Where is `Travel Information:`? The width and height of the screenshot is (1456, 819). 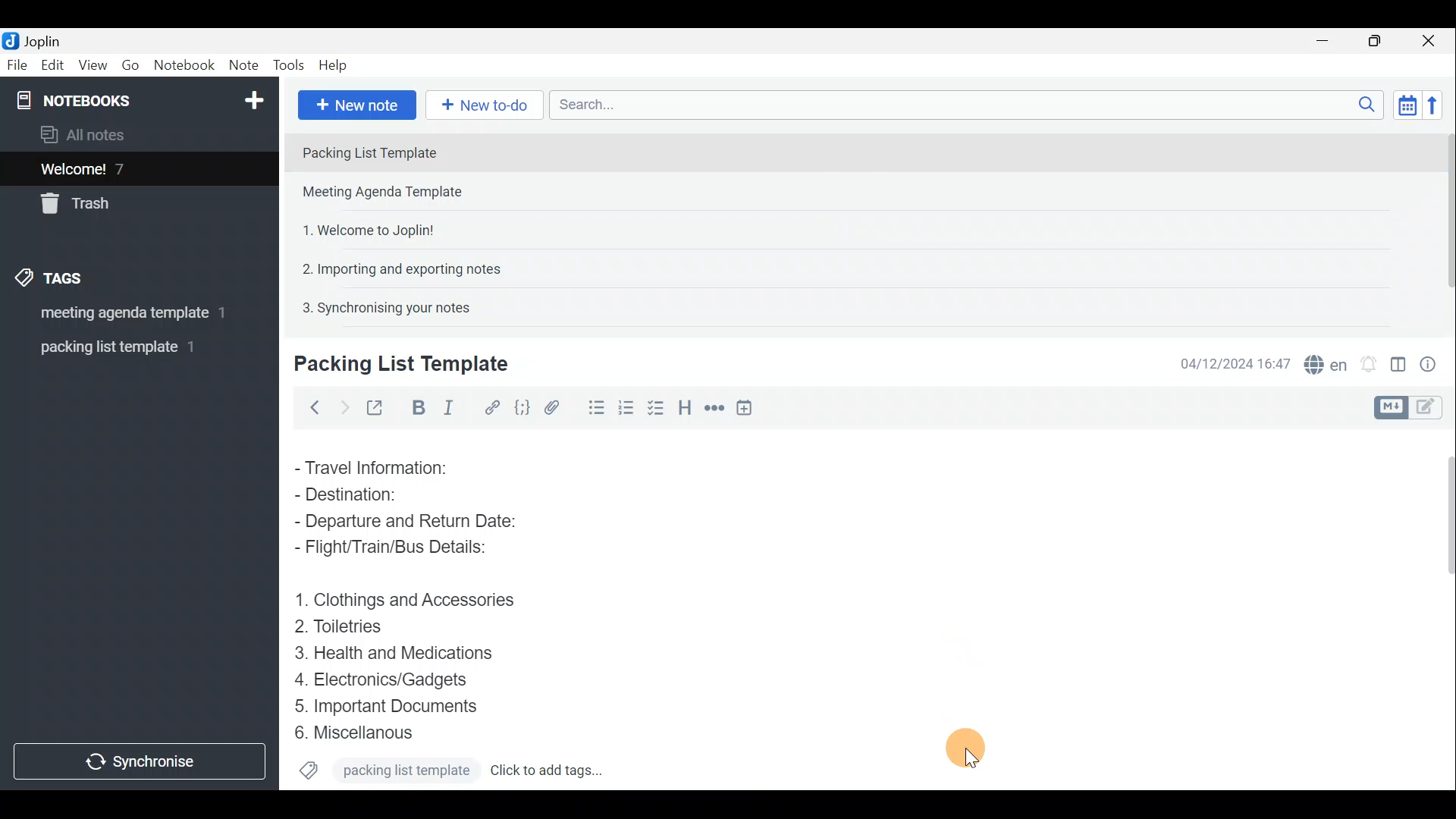
Travel Information: is located at coordinates (383, 466).